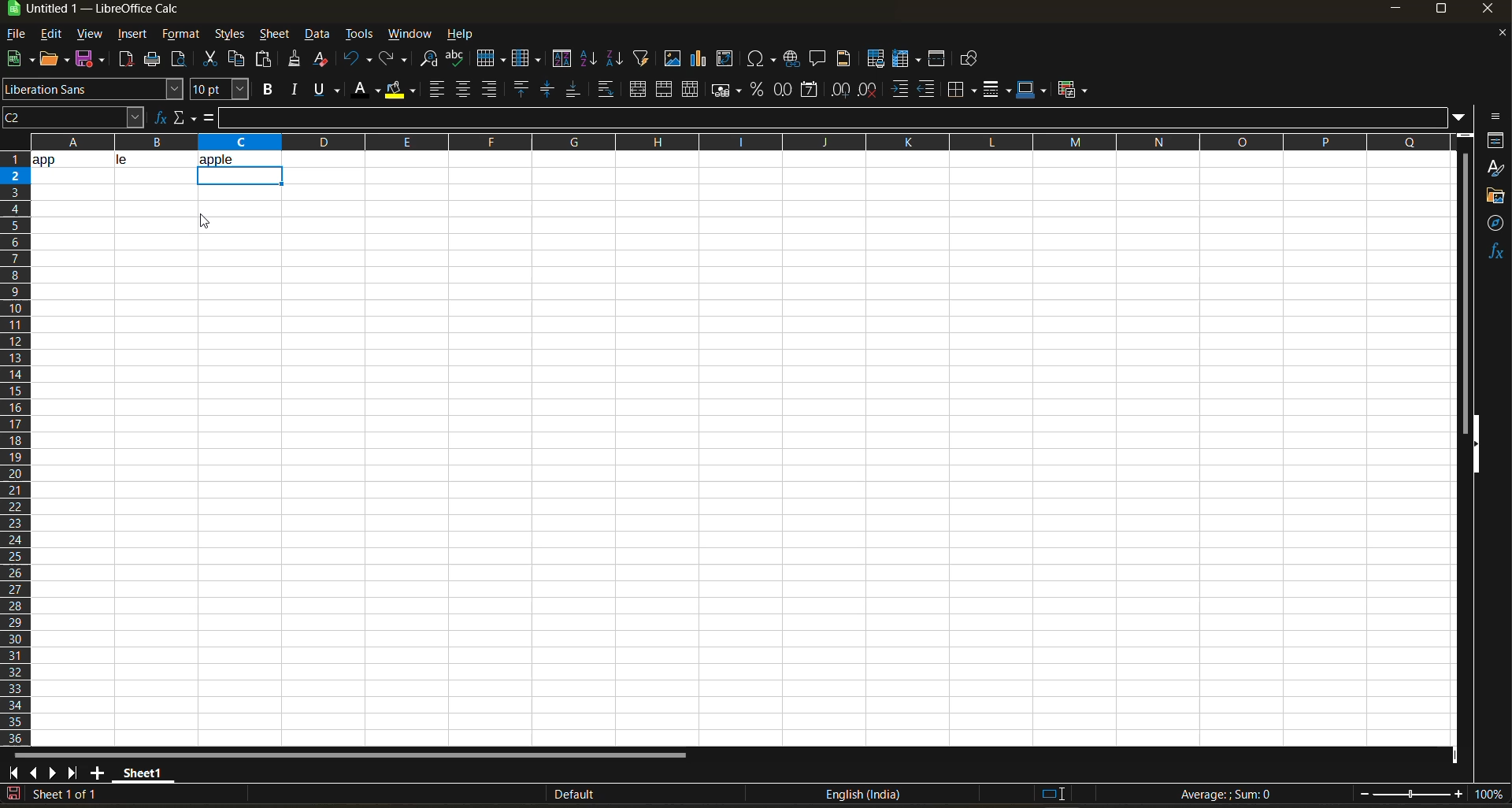 The image size is (1512, 808). I want to click on formula, so click(207, 120).